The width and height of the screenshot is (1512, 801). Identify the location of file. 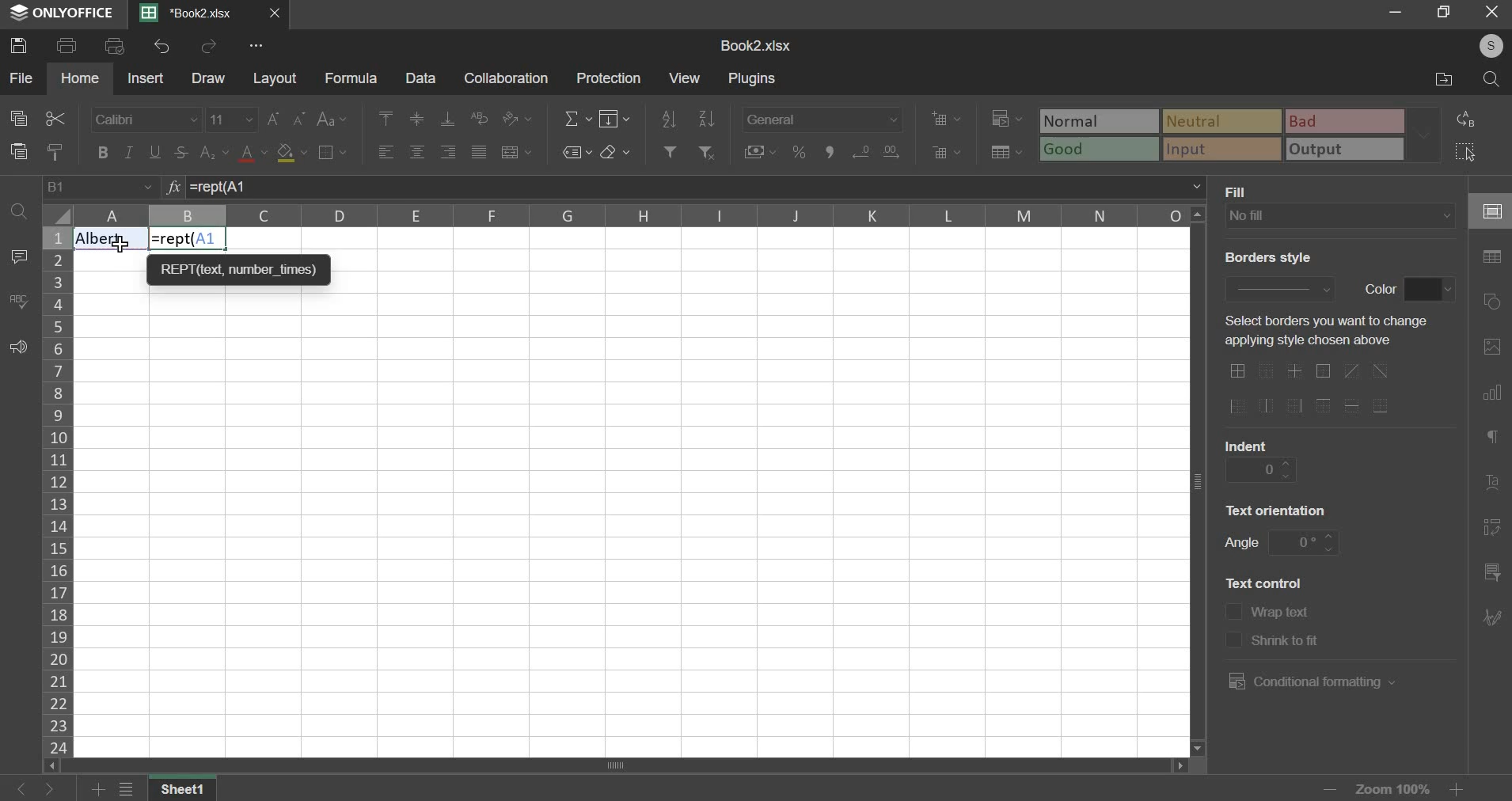
(21, 77).